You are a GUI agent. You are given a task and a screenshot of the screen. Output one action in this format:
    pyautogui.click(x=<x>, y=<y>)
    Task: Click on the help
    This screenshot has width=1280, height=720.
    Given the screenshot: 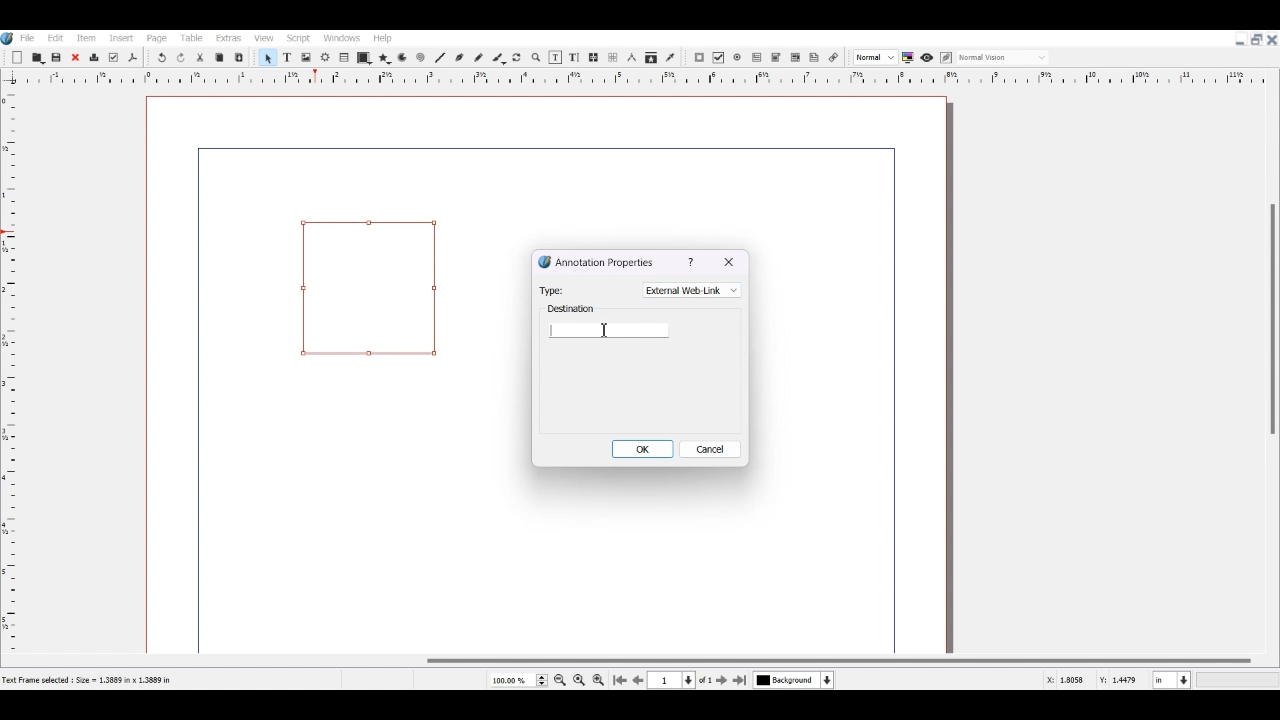 What is the action you would take?
    pyautogui.click(x=693, y=262)
    